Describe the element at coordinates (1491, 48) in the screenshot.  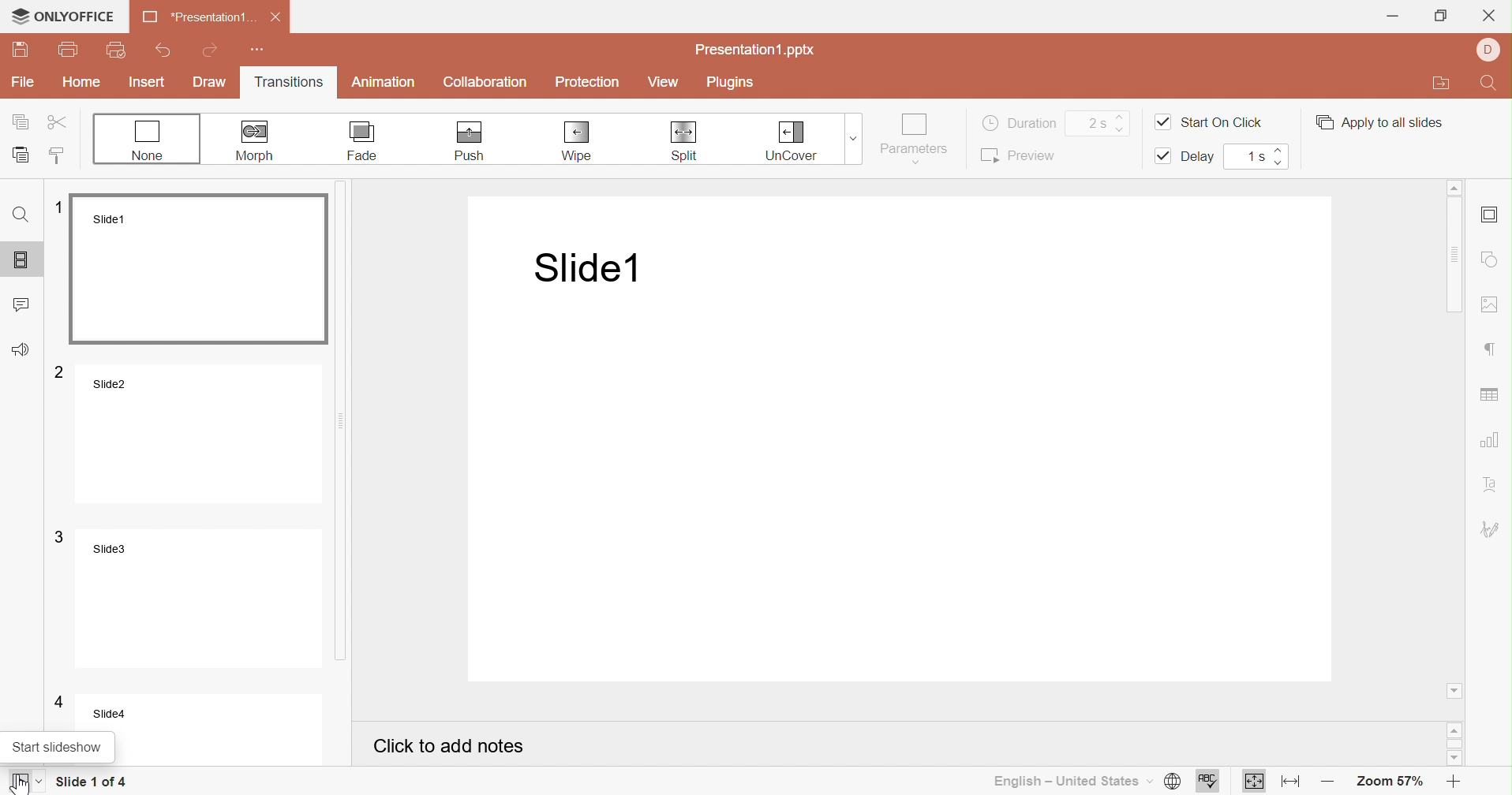
I see `User` at that location.